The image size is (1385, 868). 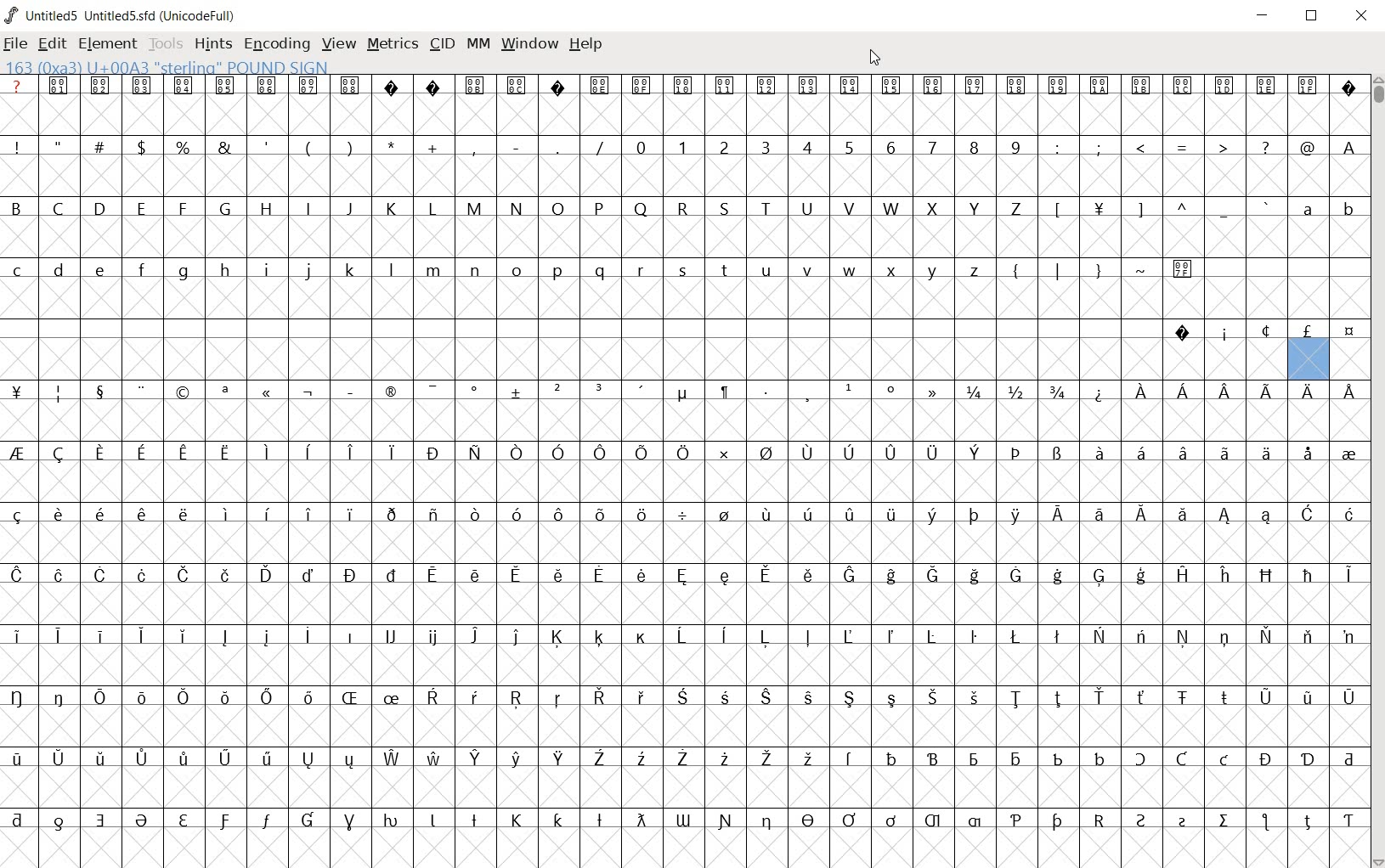 What do you see at coordinates (1058, 699) in the screenshot?
I see `Symbol` at bounding box center [1058, 699].